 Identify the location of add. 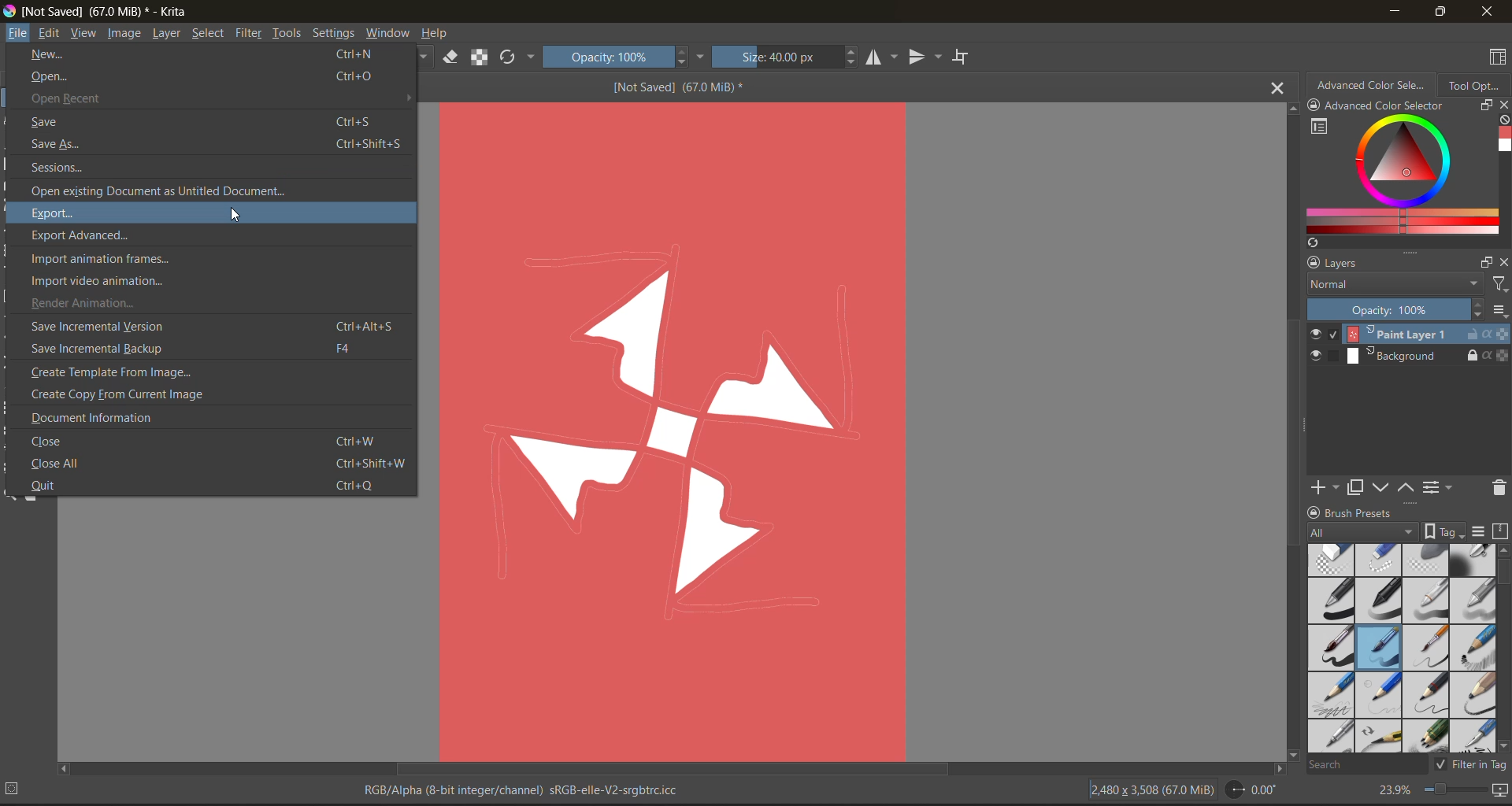
(1329, 486).